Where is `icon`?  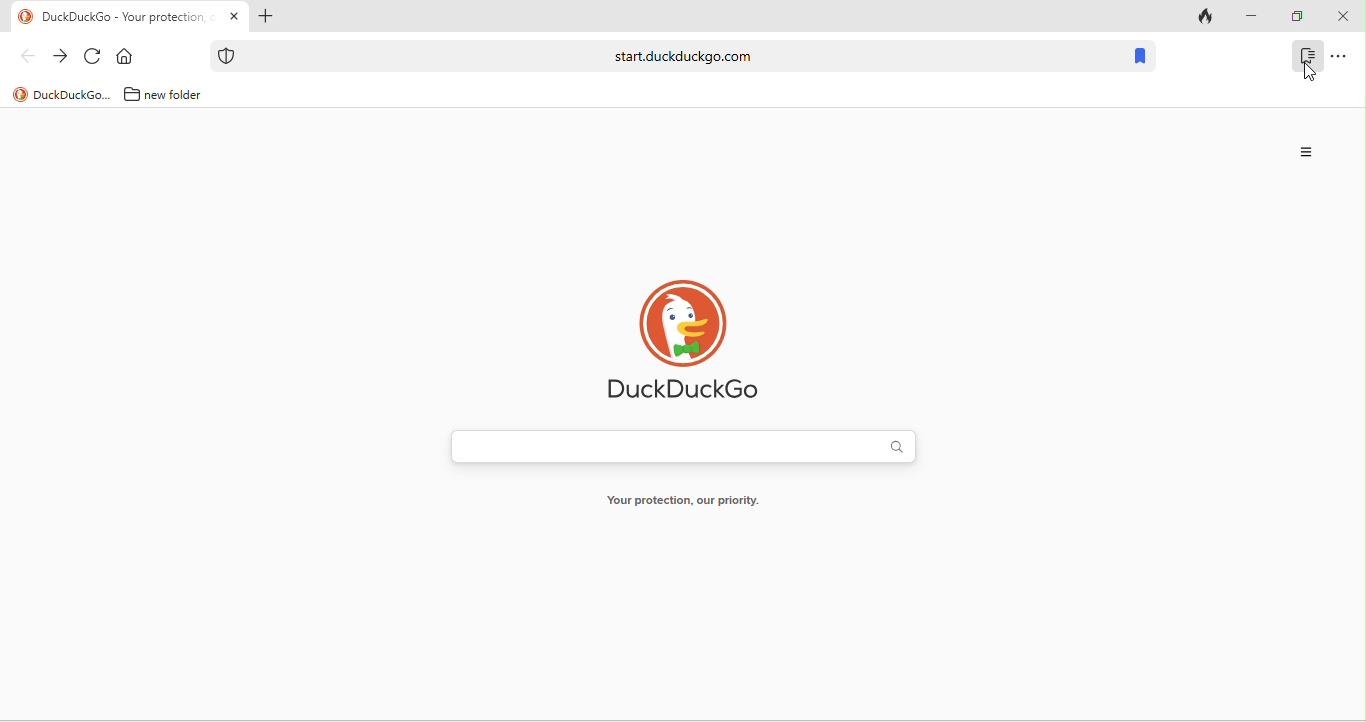
icon is located at coordinates (26, 17).